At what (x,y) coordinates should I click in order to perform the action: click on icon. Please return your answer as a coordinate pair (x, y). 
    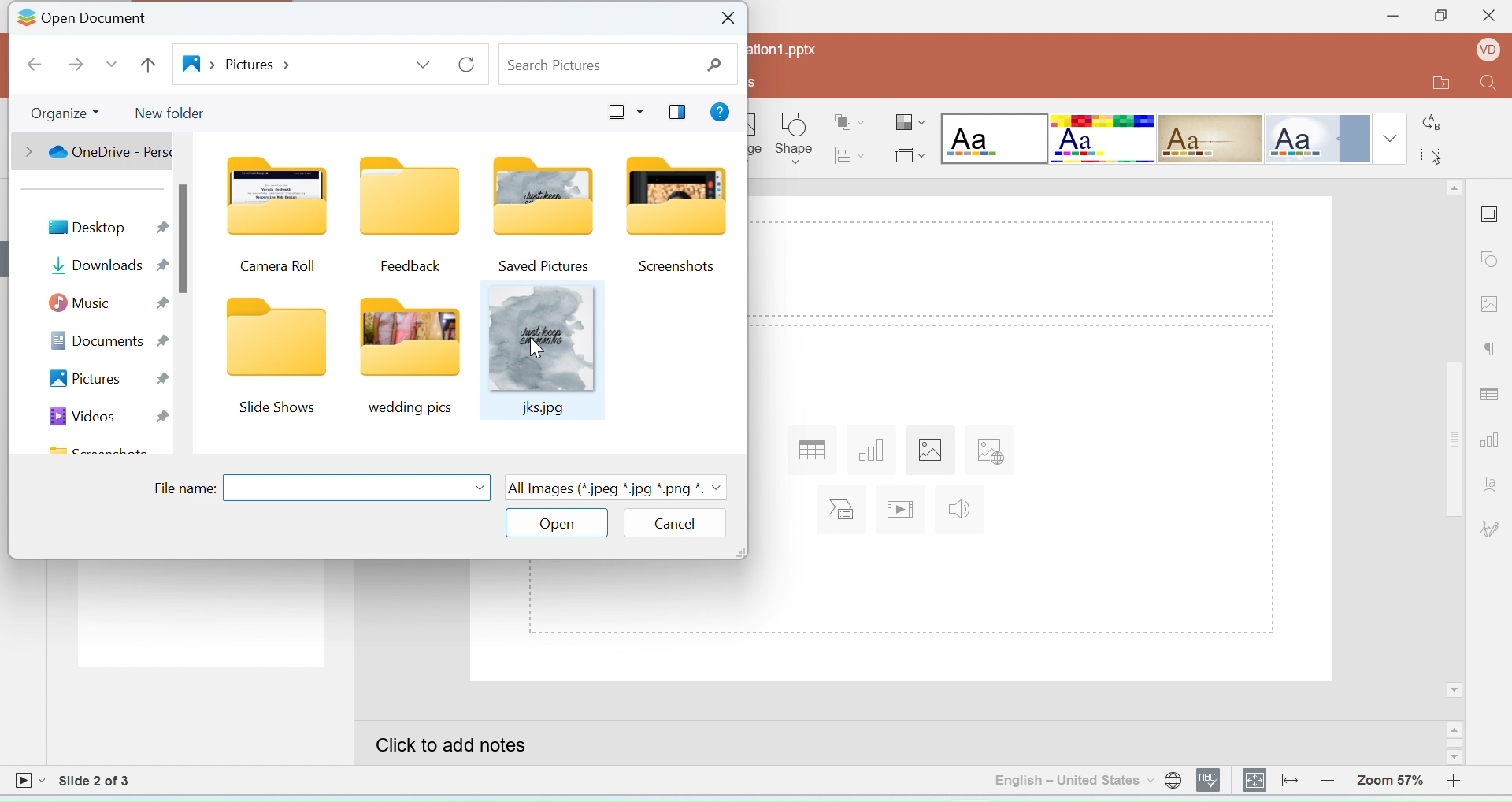
    Looking at the image, I should click on (25, 20).